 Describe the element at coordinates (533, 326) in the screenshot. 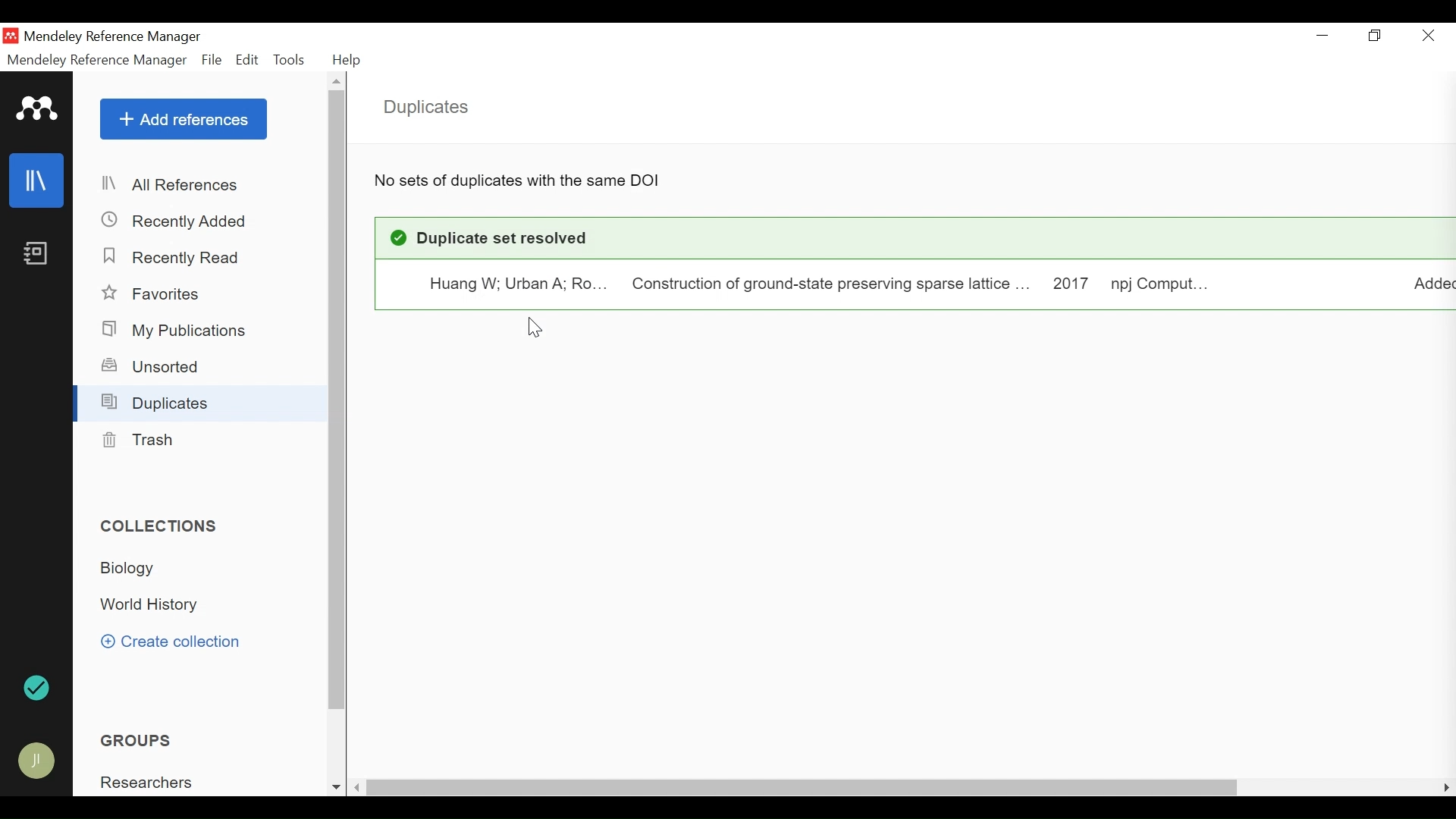

I see `Cursor` at that location.